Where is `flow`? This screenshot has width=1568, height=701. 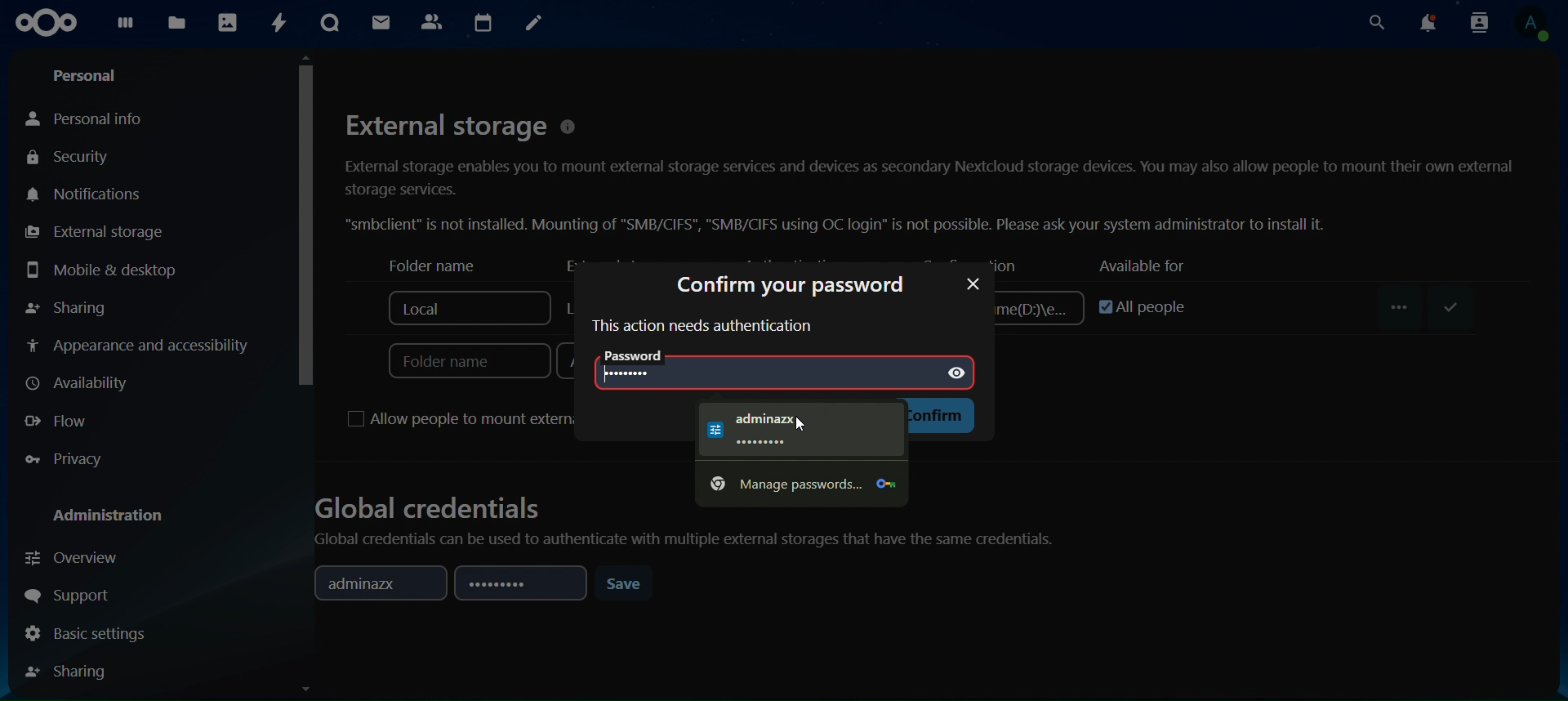
flow is located at coordinates (60, 422).